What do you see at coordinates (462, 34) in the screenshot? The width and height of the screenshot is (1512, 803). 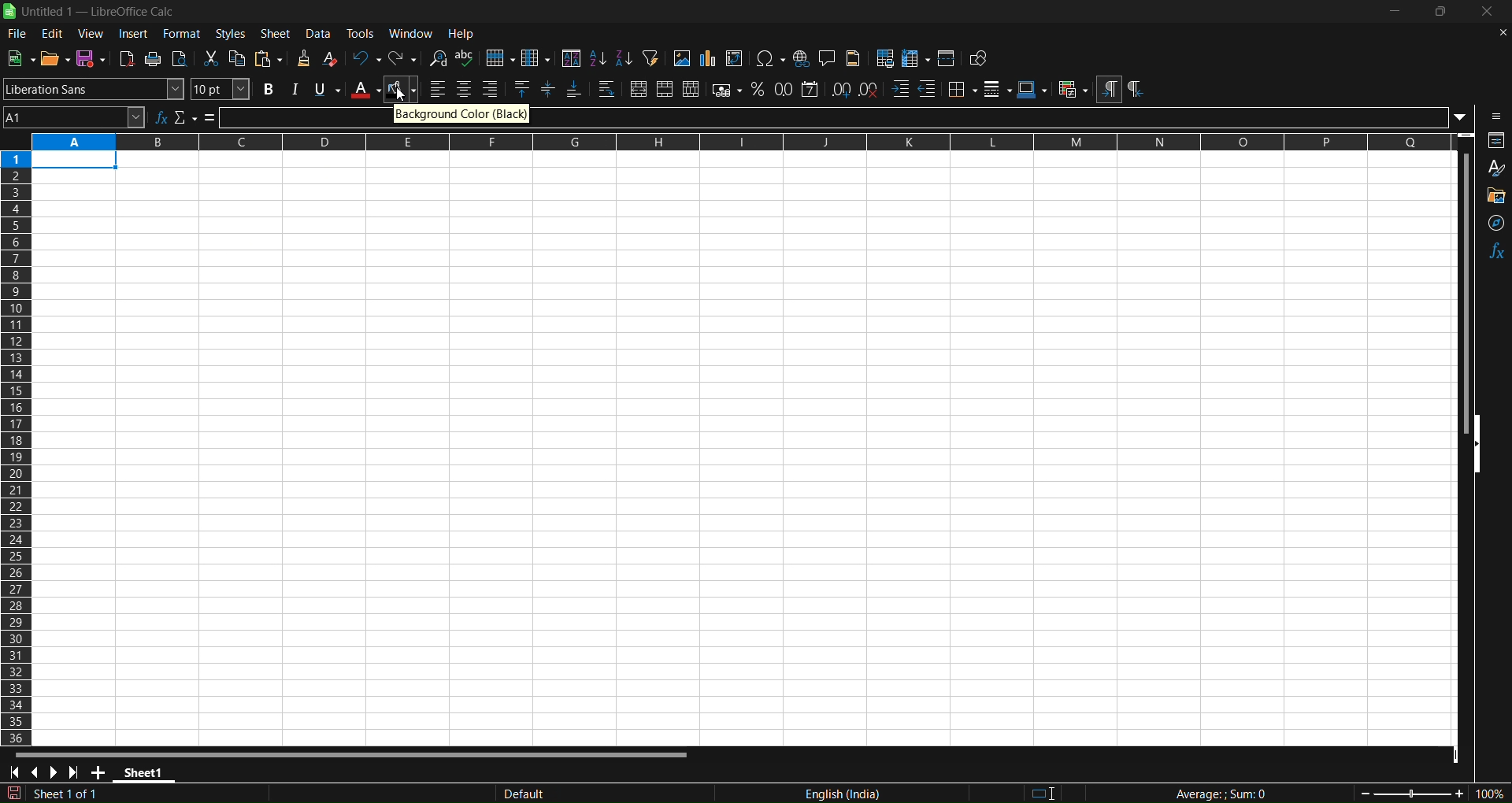 I see `help` at bounding box center [462, 34].